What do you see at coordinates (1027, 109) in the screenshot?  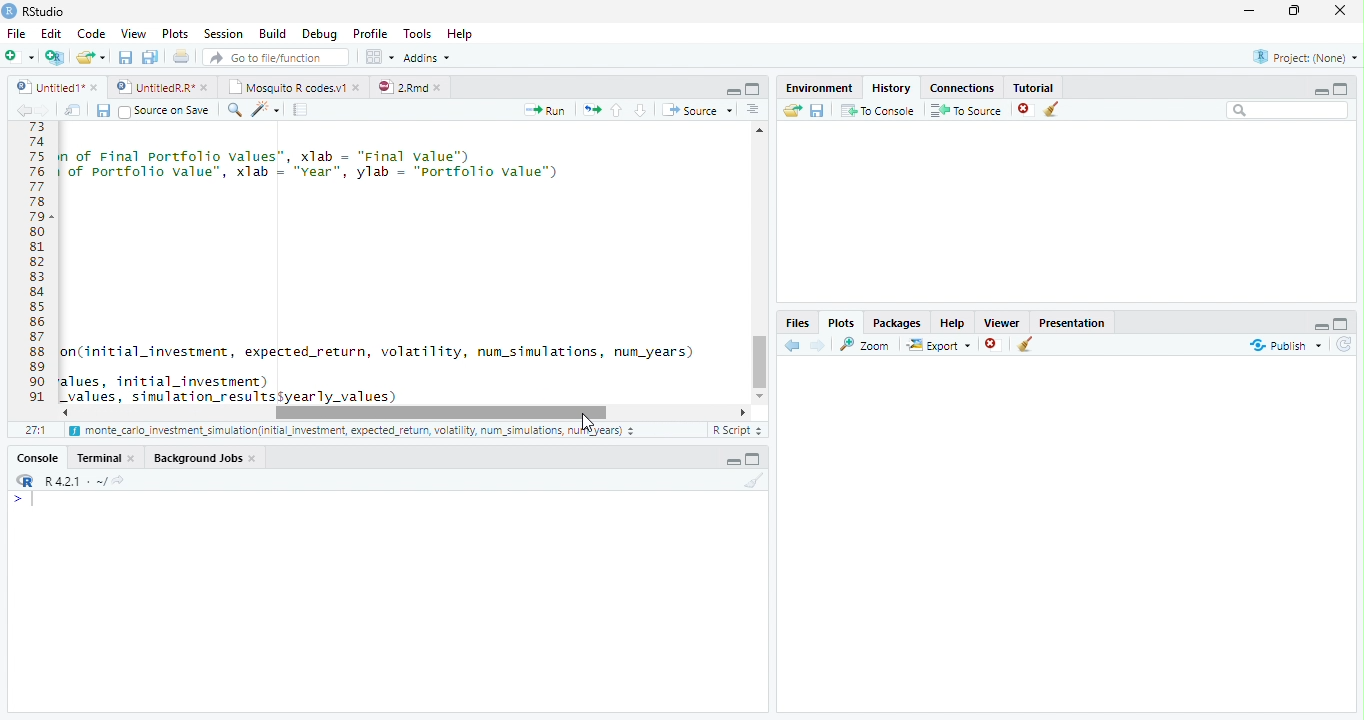 I see `Remove Selected` at bounding box center [1027, 109].